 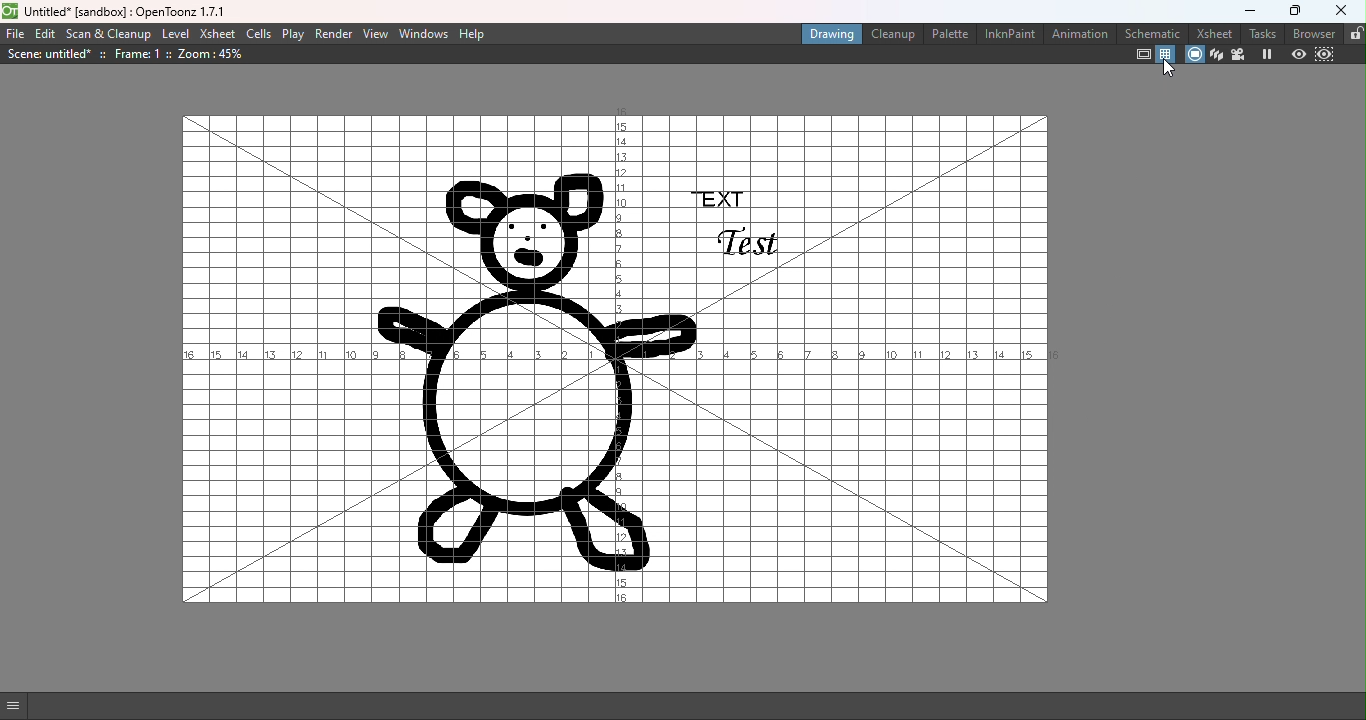 What do you see at coordinates (1328, 54) in the screenshot?
I see `Sub-camera preview` at bounding box center [1328, 54].